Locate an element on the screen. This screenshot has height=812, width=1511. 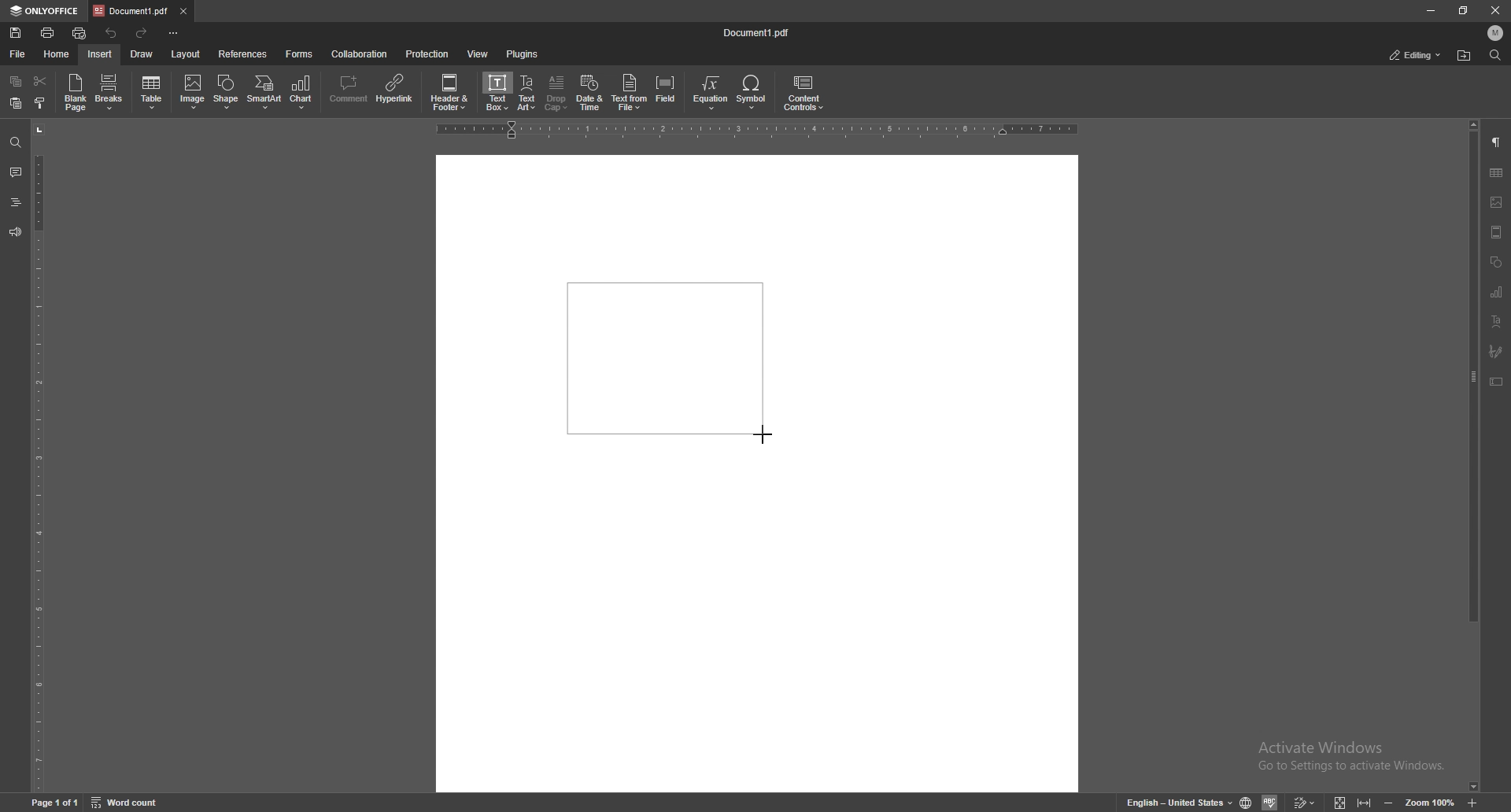
paste is located at coordinates (17, 104).